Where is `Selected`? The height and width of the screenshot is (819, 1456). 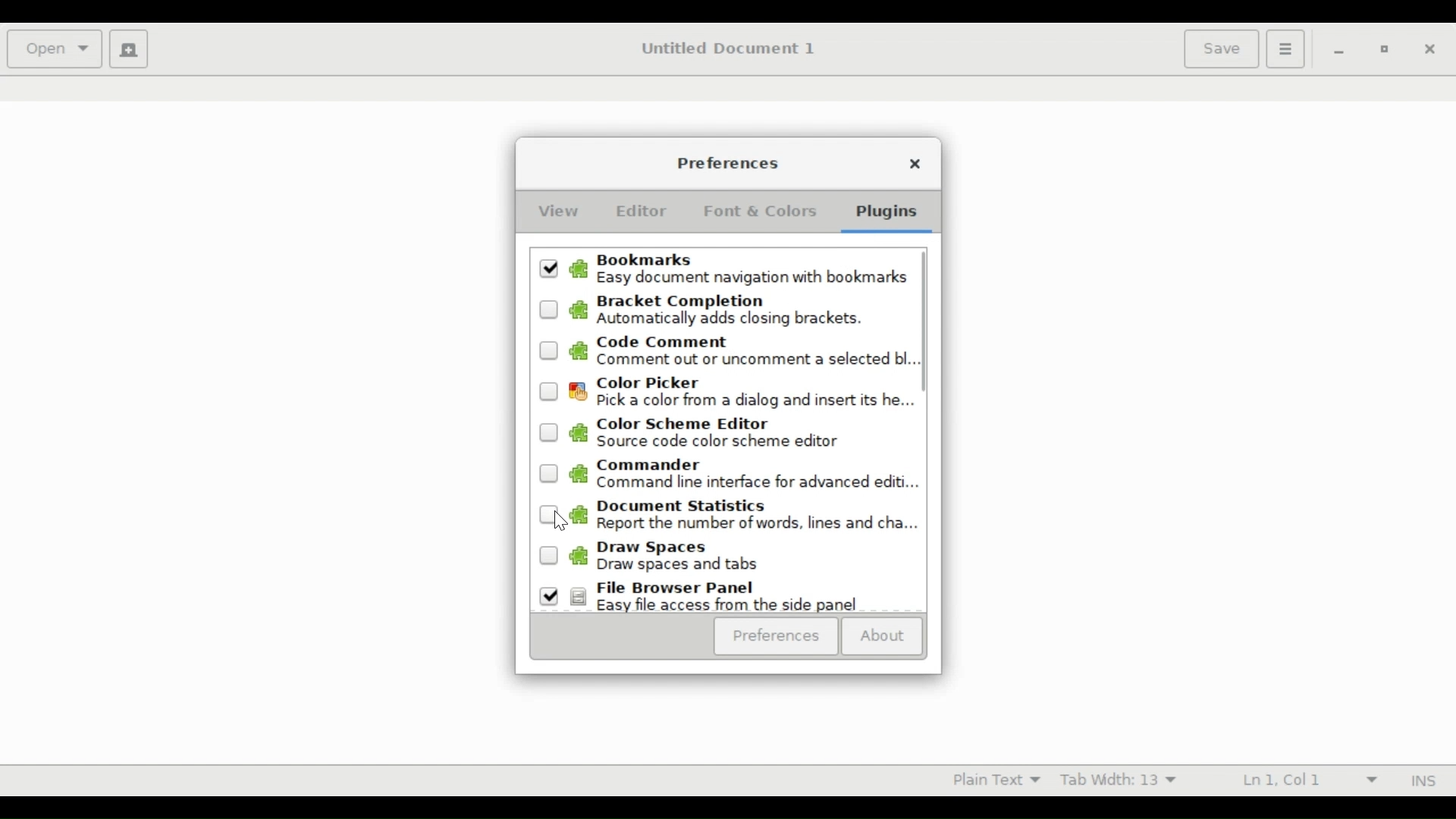
Selected is located at coordinates (550, 597).